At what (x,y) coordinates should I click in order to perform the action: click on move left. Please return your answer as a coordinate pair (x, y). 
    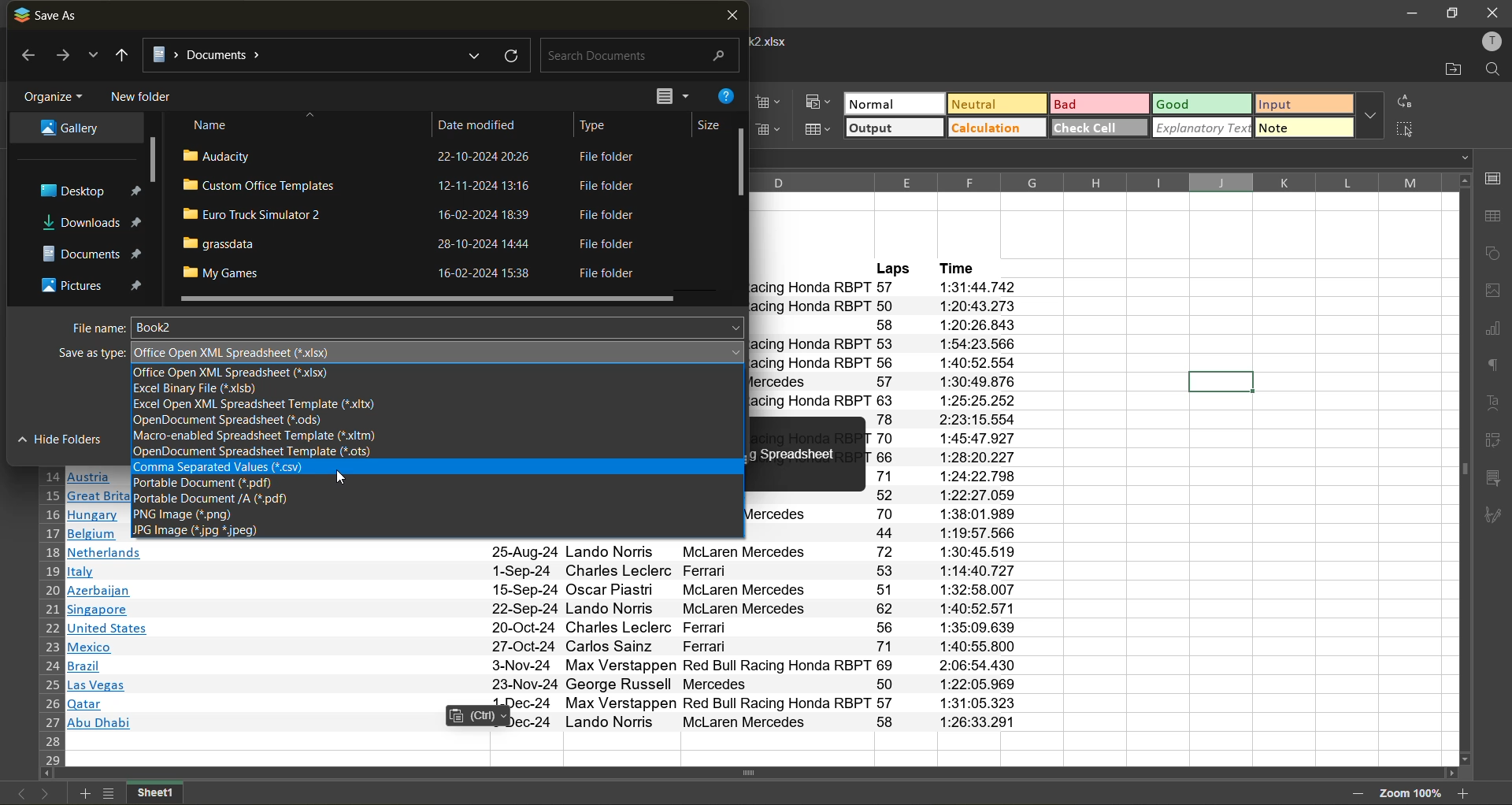
    Looking at the image, I should click on (47, 775).